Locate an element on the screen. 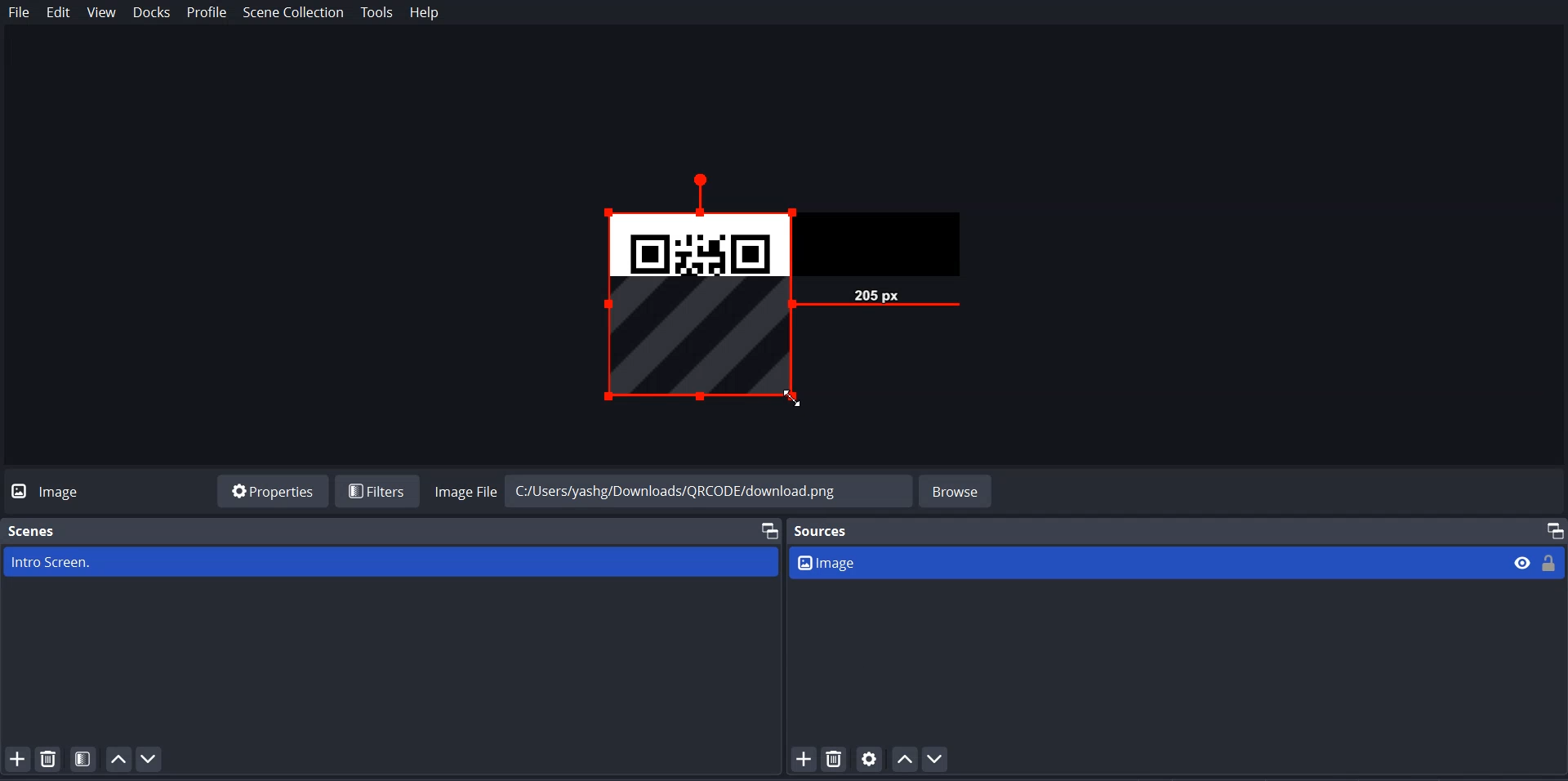 This screenshot has width=1568, height=781. View is located at coordinates (100, 14).